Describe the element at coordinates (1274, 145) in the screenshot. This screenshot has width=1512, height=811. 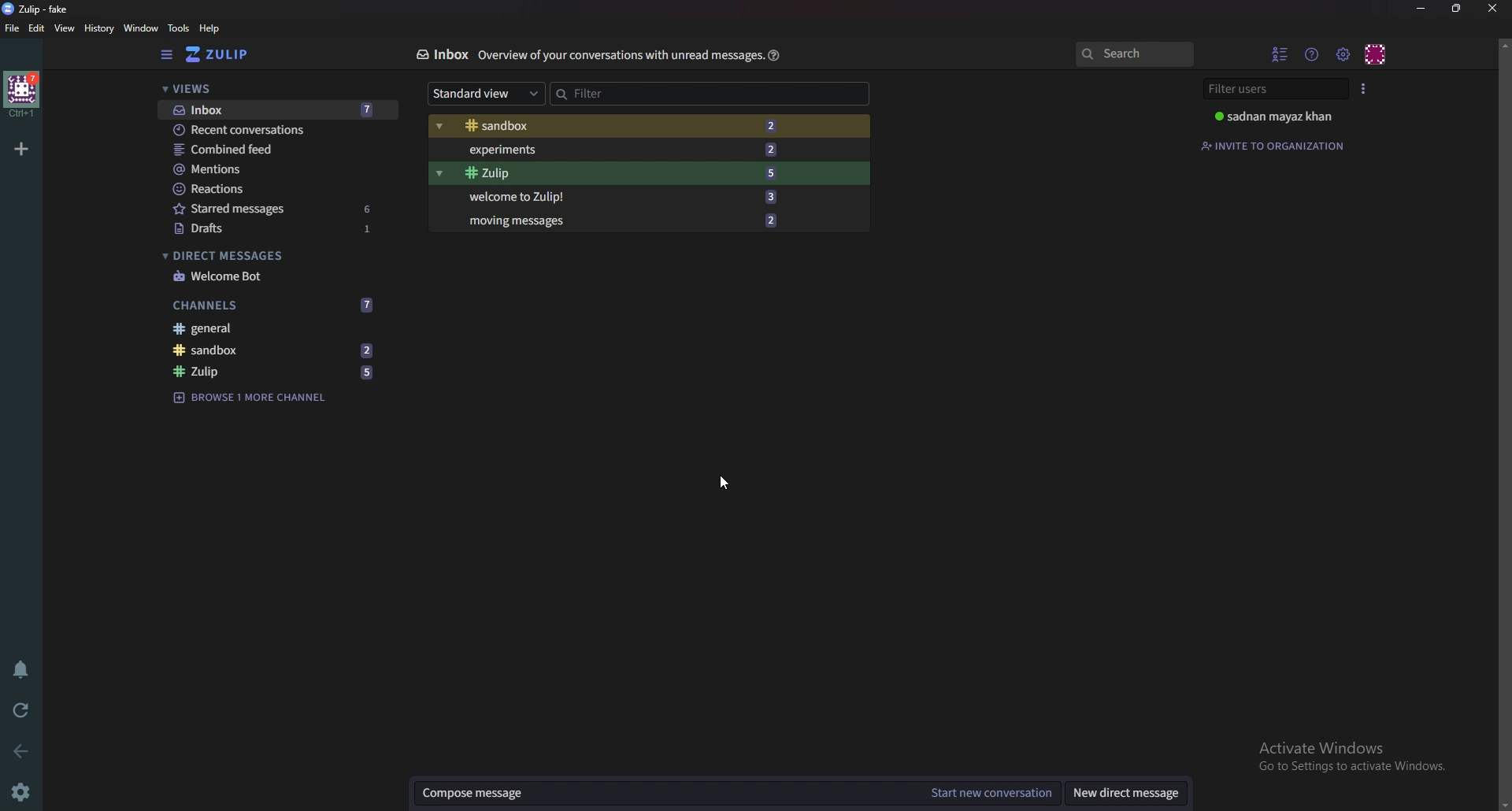
I see `Invite organization` at that location.